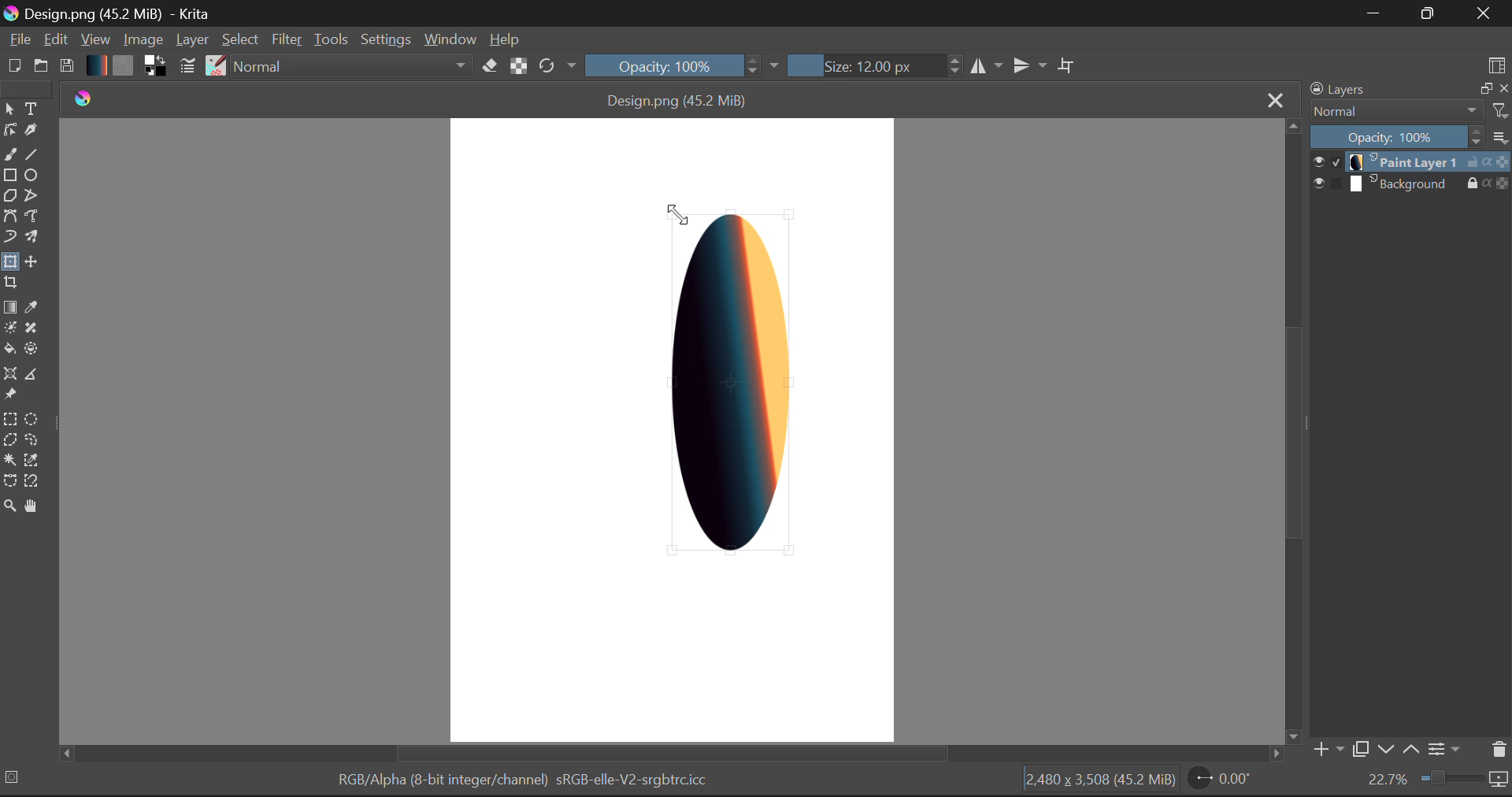 Image resolution: width=1512 pixels, height=797 pixels. Describe the element at coordinates (94, 39) in the screenshot. I see `View` at that location.